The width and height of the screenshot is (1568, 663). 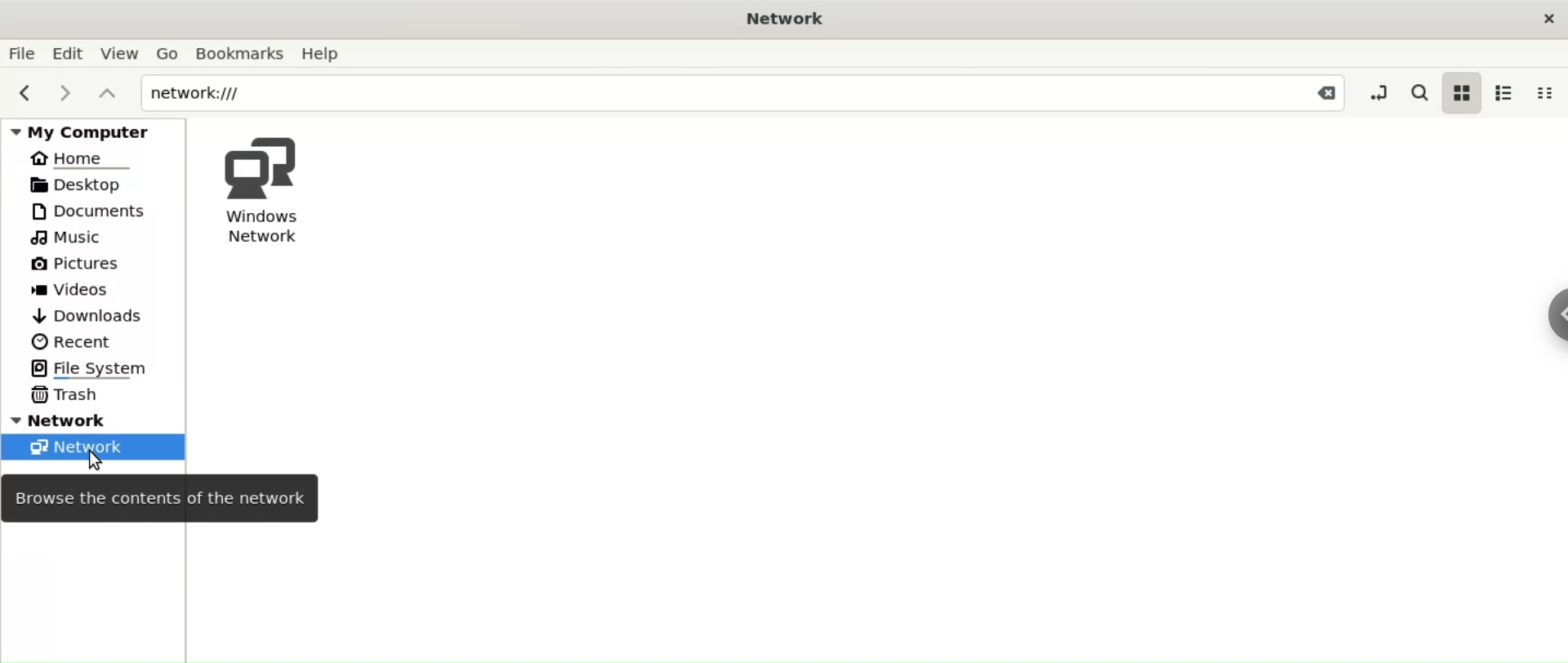 I want to click on icon view, so click(x=1461, y=95).